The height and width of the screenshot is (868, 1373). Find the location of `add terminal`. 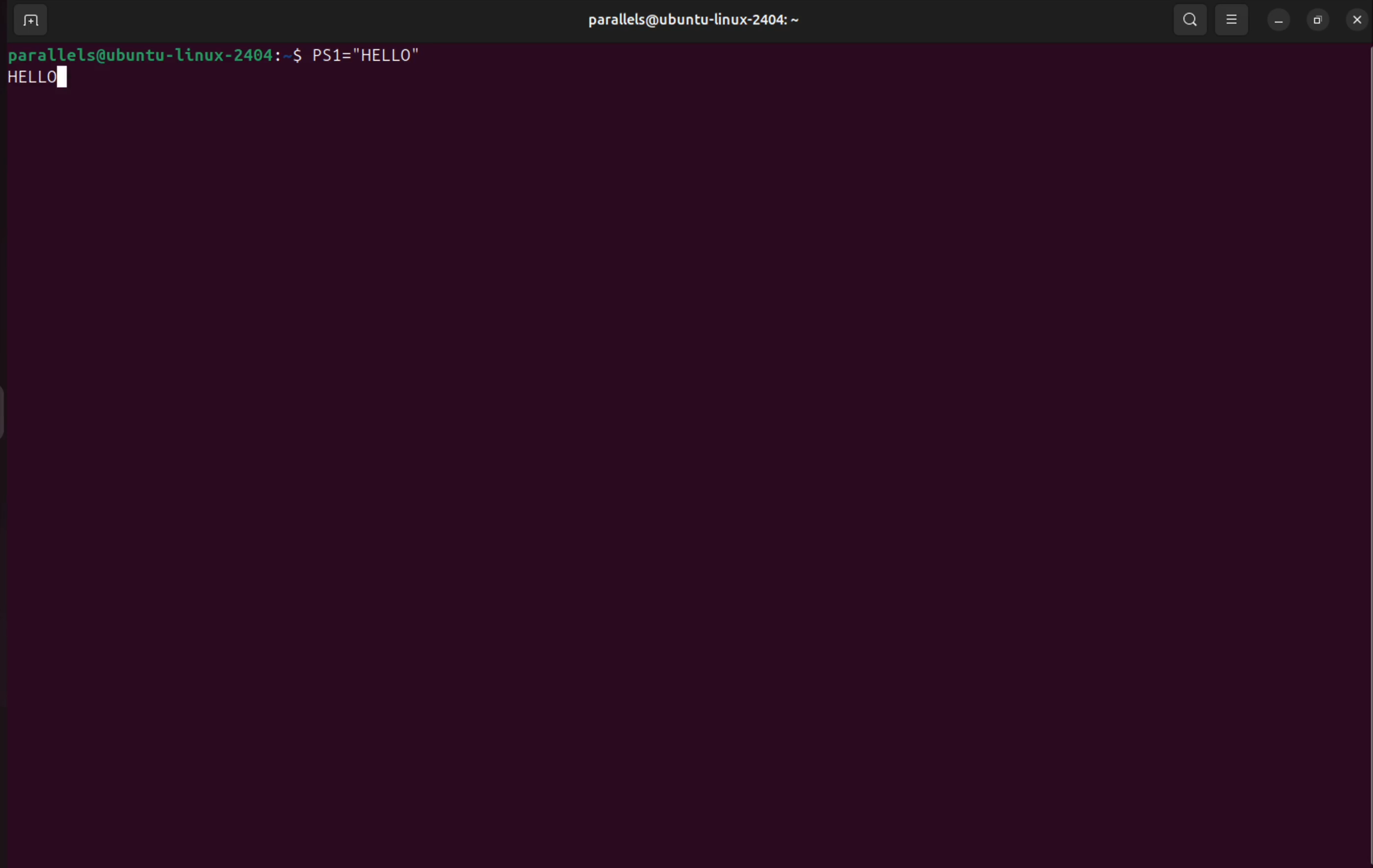

add terminal is located at coordinates (30, 21).